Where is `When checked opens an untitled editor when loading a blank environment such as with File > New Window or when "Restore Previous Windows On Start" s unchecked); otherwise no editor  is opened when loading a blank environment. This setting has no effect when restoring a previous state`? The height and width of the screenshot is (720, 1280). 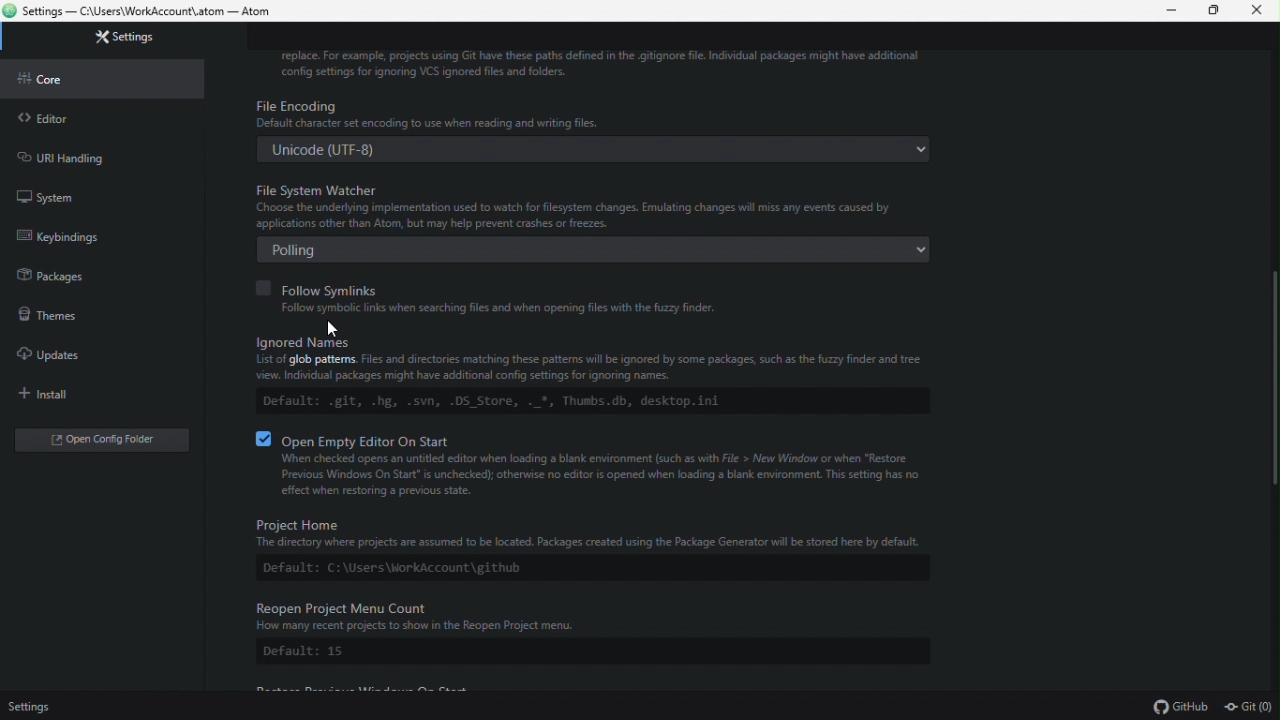
When checked opens an untitled editor when loading a blank environment such as with File > New Window or when "Restore Previous Windows On Start" s unchecked); otherwise no editor  is opened when loading a blank environment. This setting has no effect when restoring a previous state is located at coordinates (592, 475).